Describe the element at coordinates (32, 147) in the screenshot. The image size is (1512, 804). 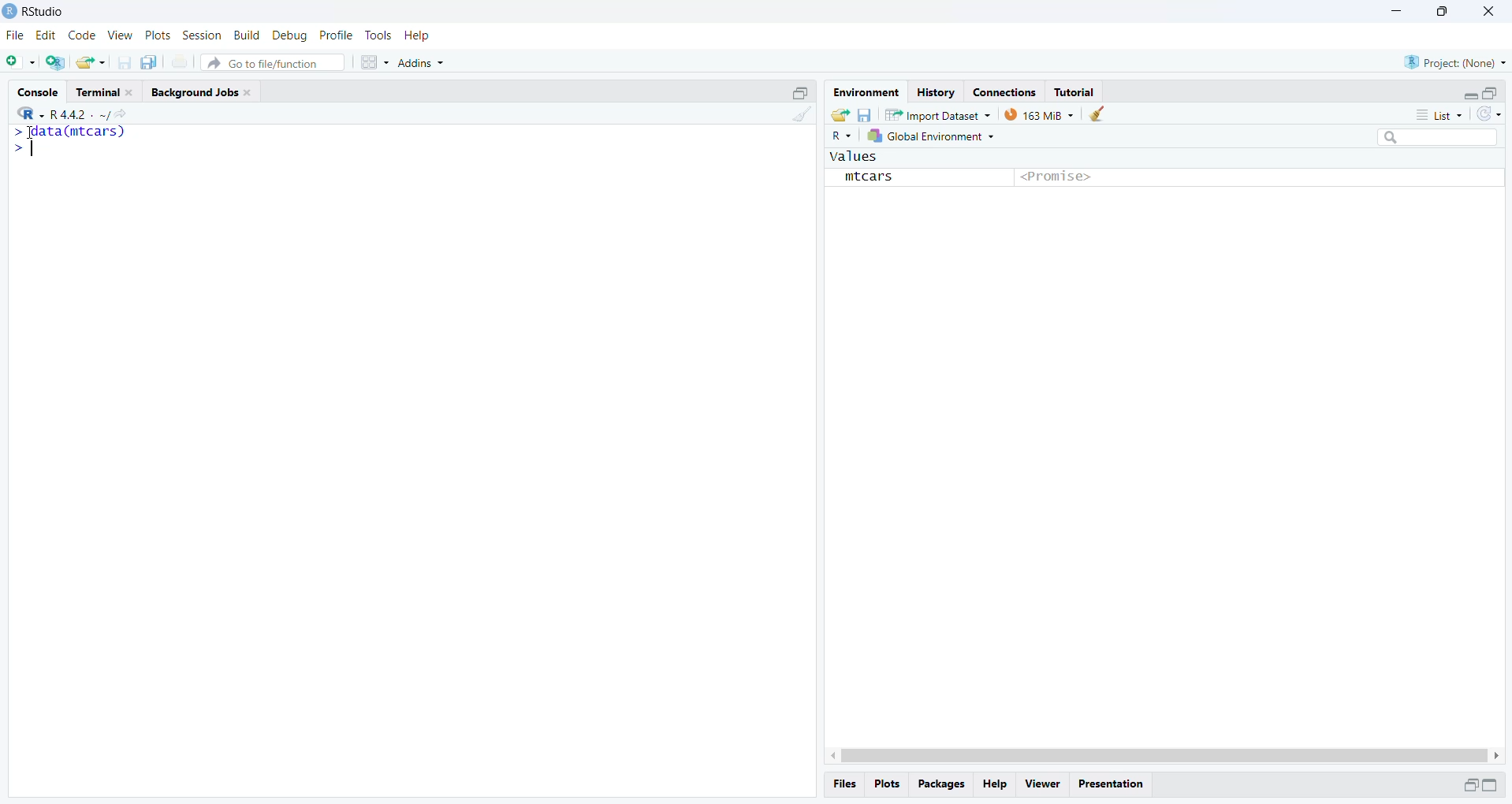
I see `typing indicator` at that location.